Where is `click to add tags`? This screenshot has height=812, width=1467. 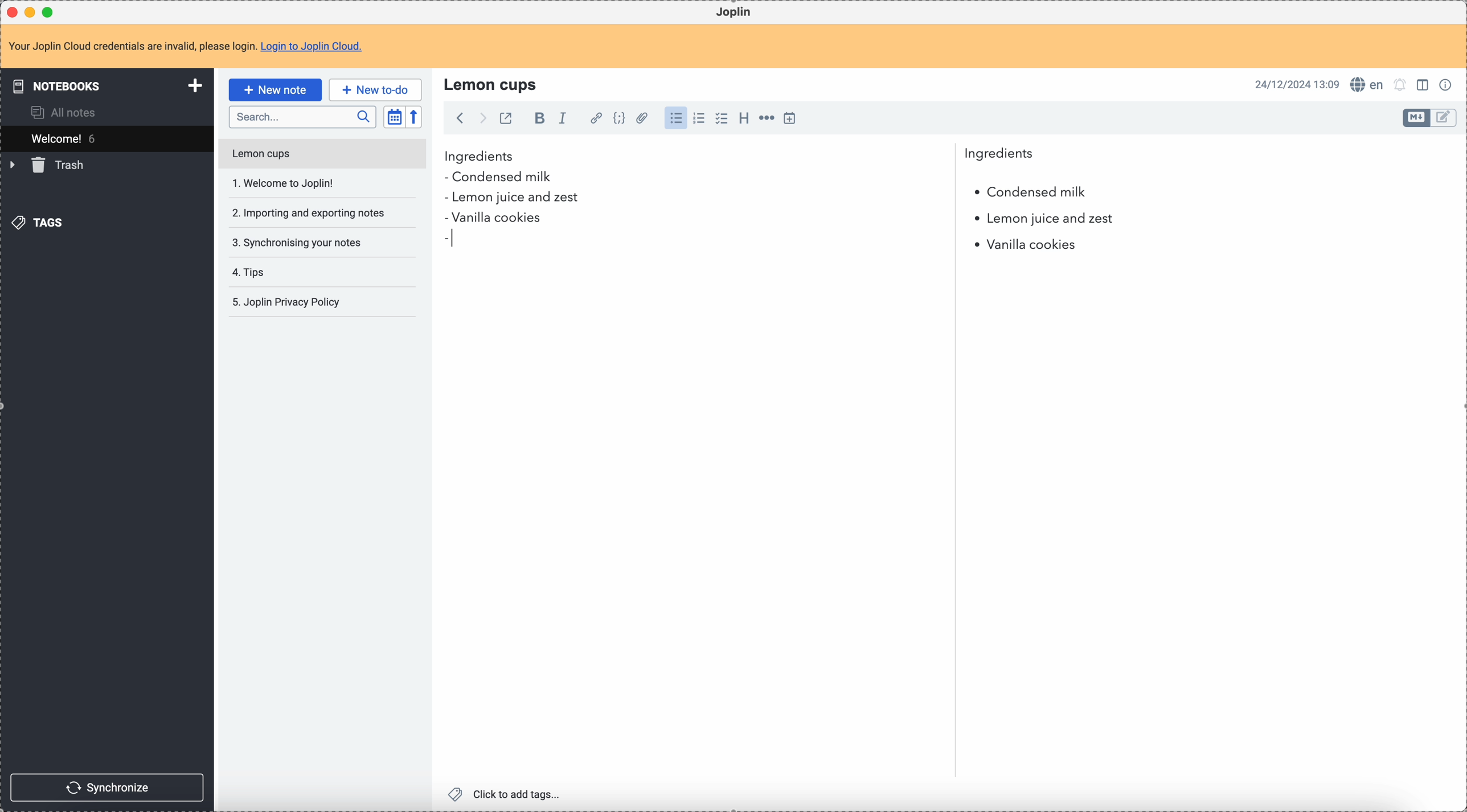 click to add tags is located at coordinates (507, 793).